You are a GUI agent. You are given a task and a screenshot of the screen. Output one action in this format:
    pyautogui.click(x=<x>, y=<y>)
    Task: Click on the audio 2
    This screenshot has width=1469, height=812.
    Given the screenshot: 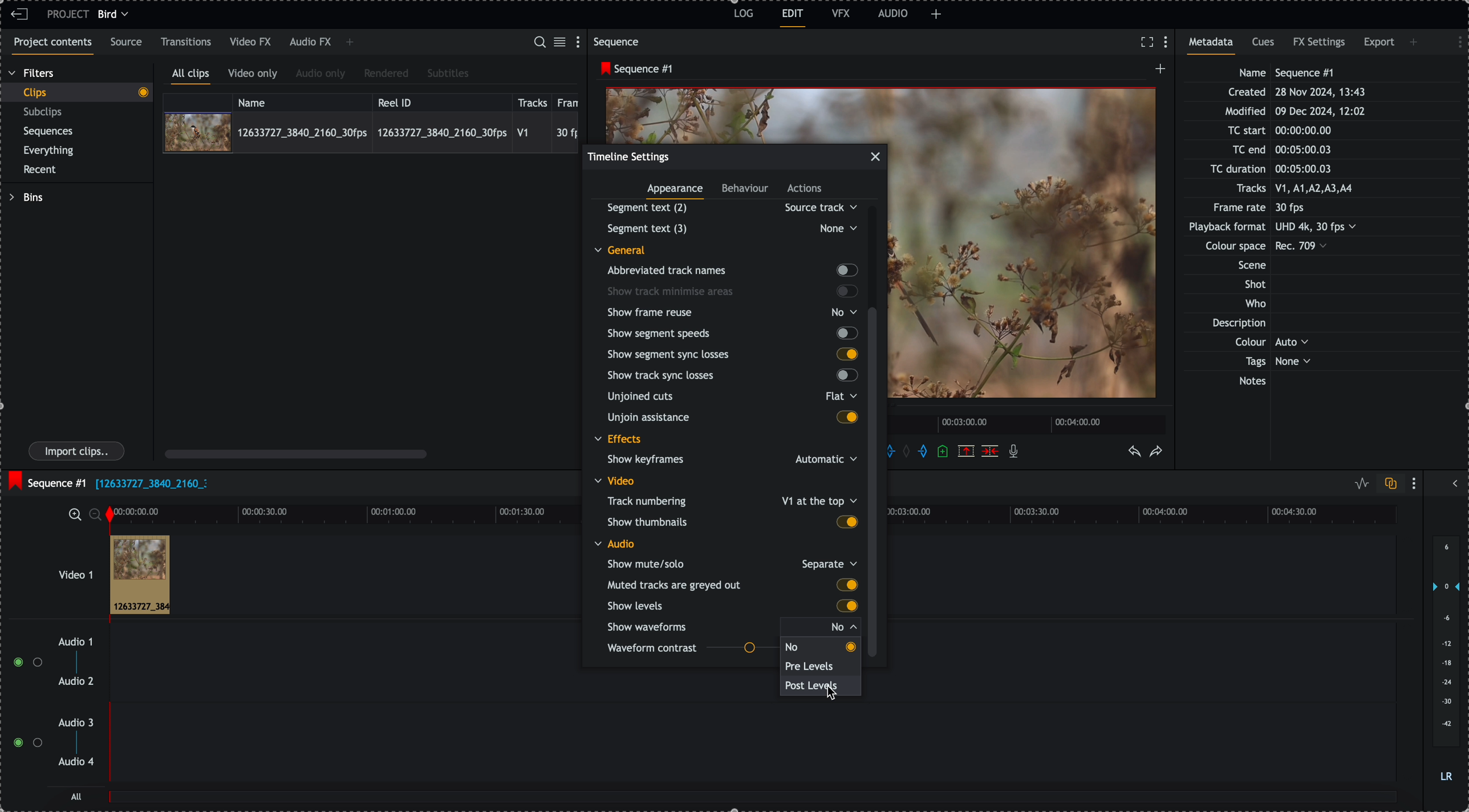 What is the action you would take?
    pyautogui.click(x=74, y=682)
    